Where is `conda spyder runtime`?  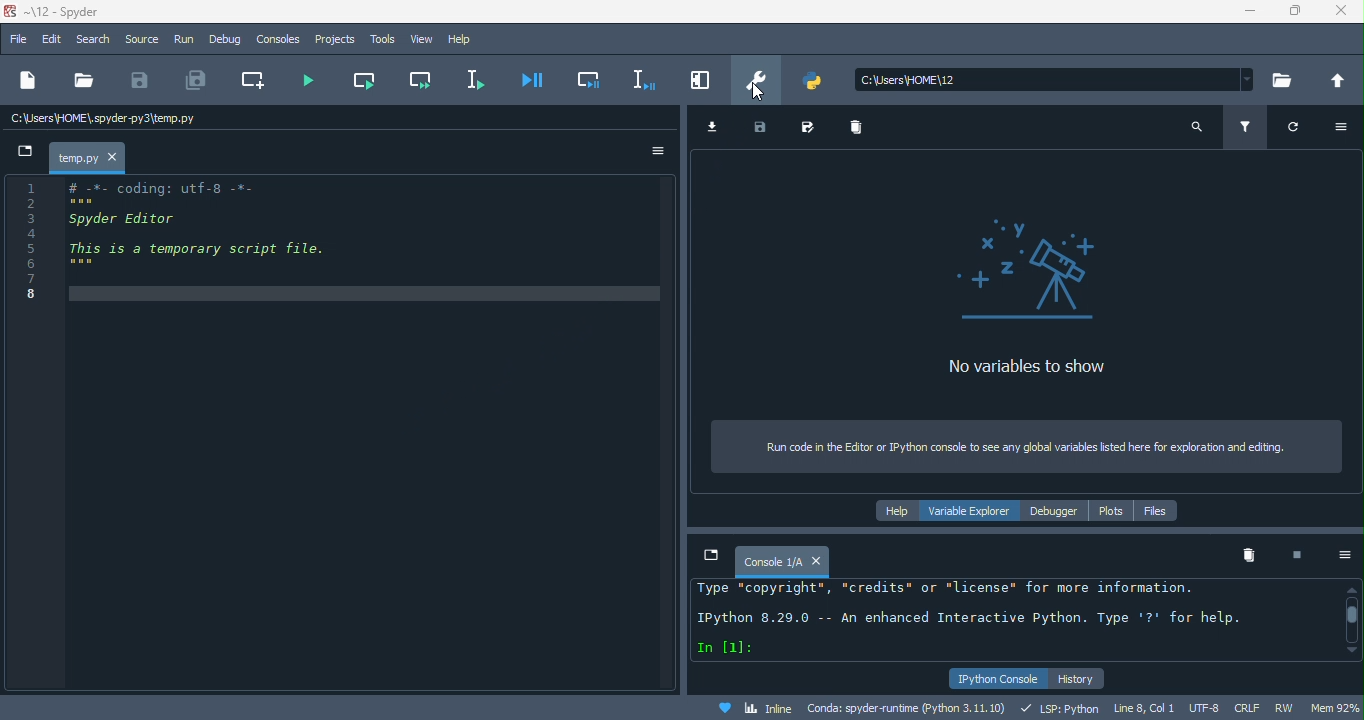 conda spyder runtime is located at coordinates (908, 707).